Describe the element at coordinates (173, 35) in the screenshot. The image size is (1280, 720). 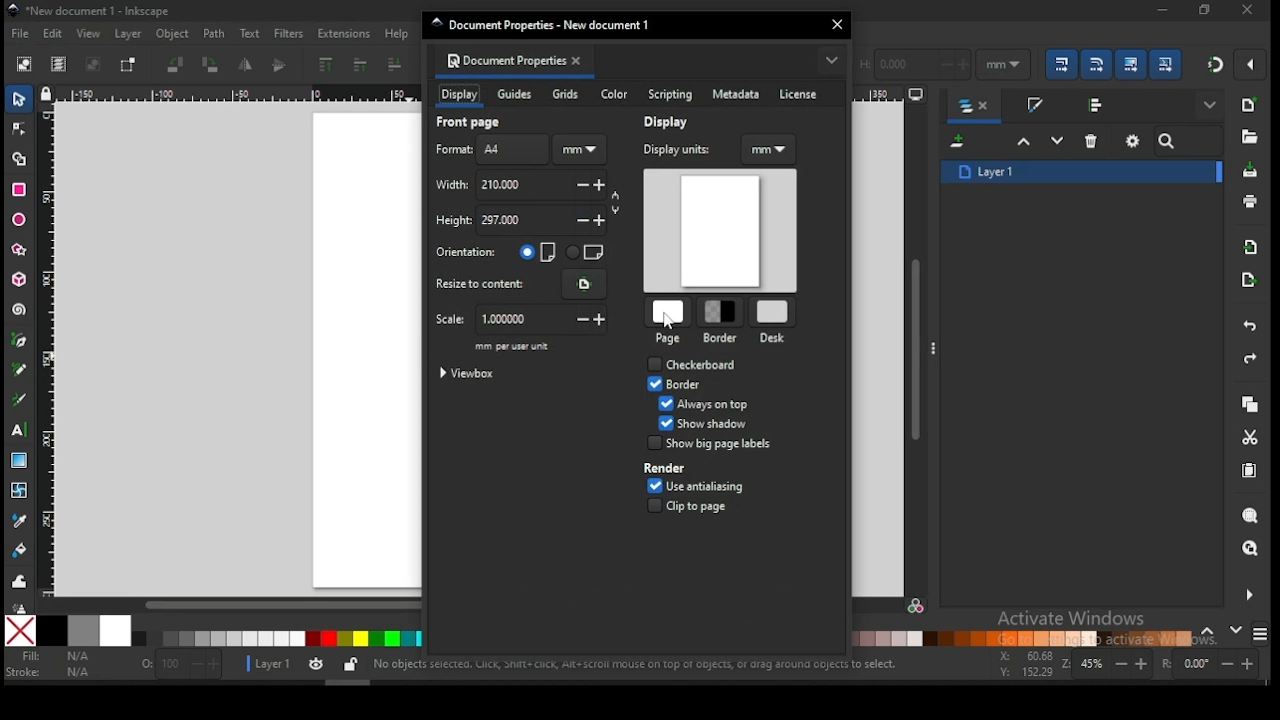
I see `object` at that location.